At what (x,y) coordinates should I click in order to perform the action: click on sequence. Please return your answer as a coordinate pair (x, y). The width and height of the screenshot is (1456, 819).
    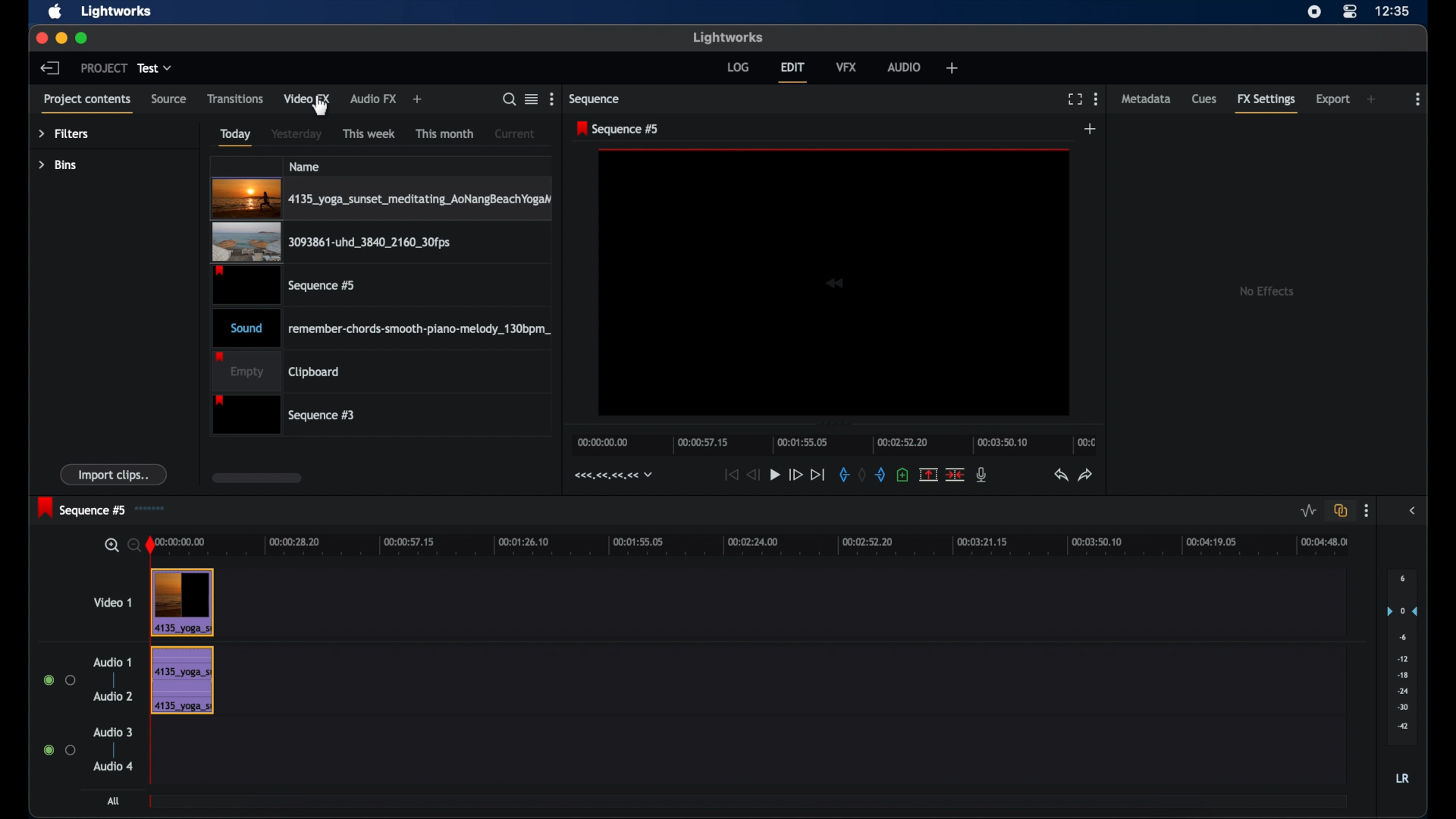
    Looking at the image, I should click on (595, 99).